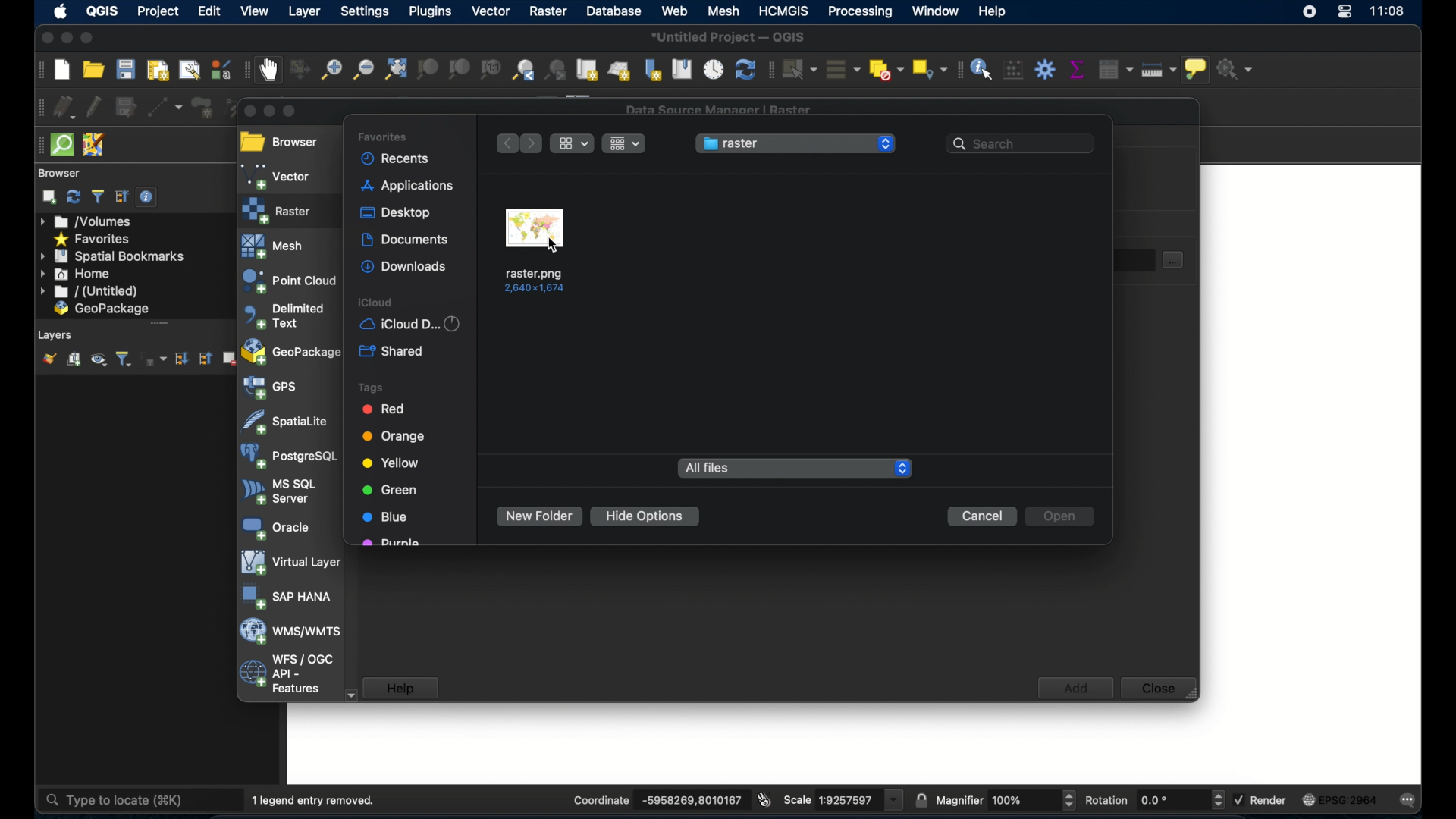  Describe the element at coordinates (722, 12) in the screenshot. I see `mesh` at that location.